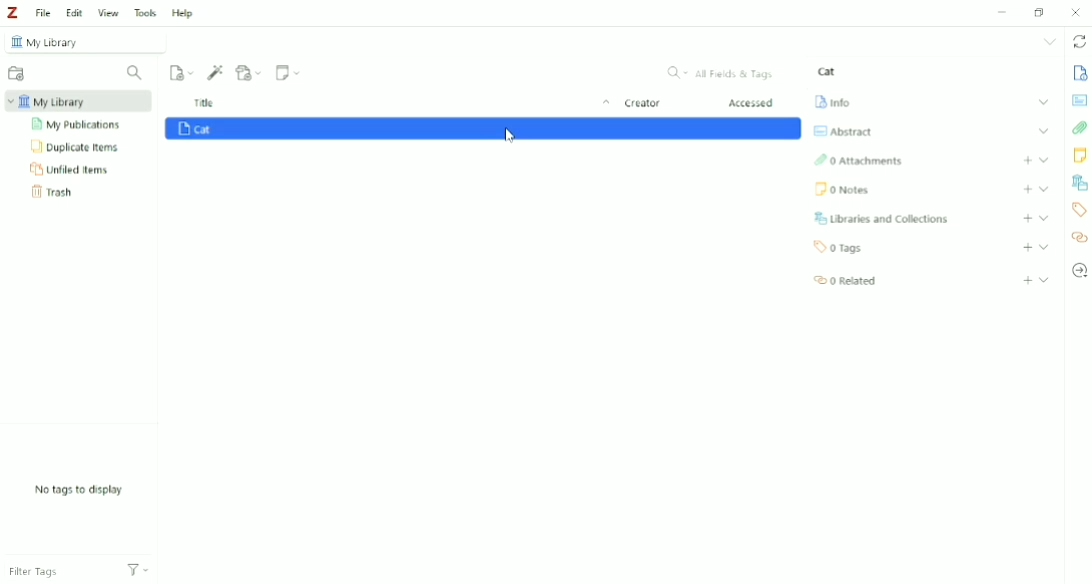 The image size is (1092, 584). I want to click on Abstract, so click(1079, 99).